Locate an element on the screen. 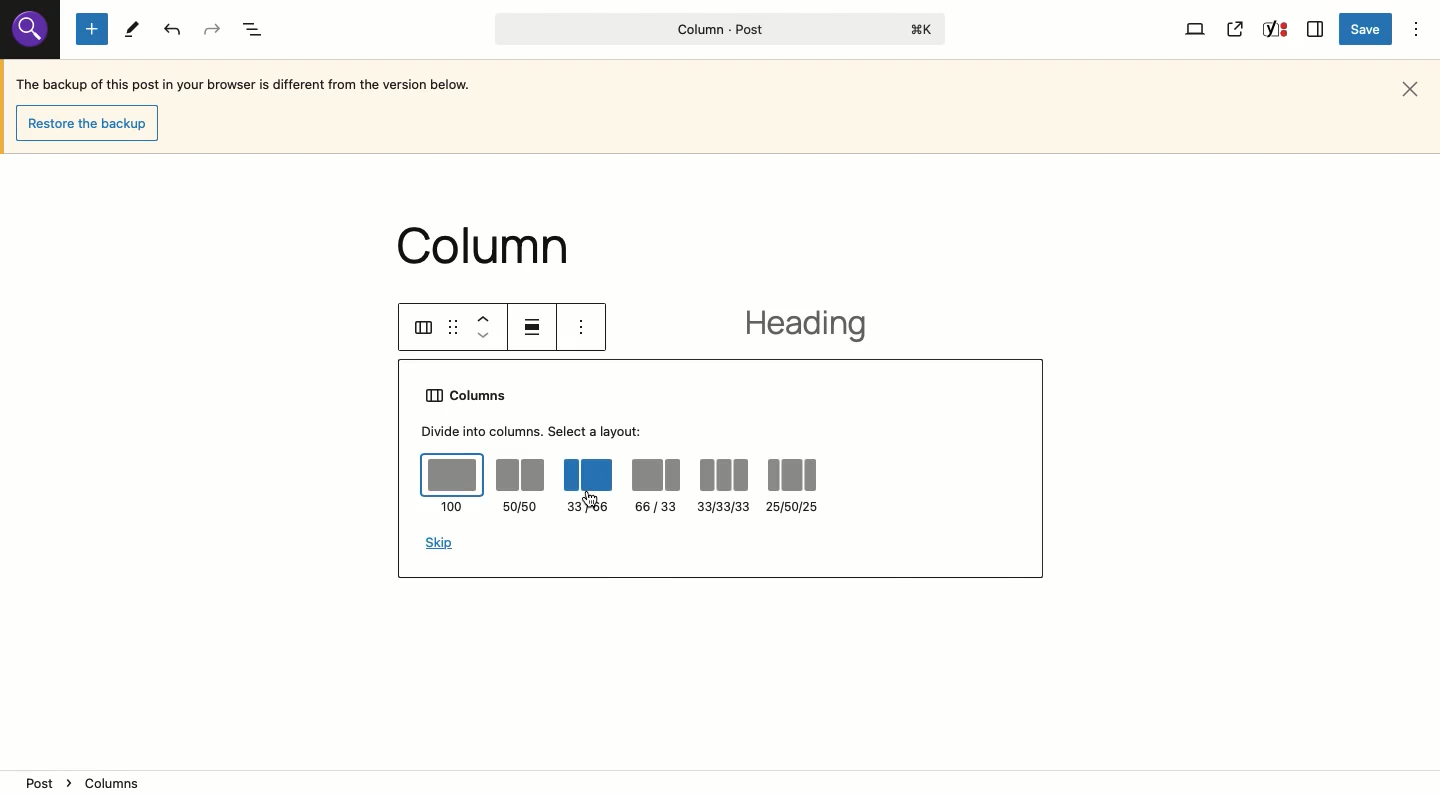 The height and width of the screenshot is (794, 1440). Sidebar is located at coordinates (1316, 27).